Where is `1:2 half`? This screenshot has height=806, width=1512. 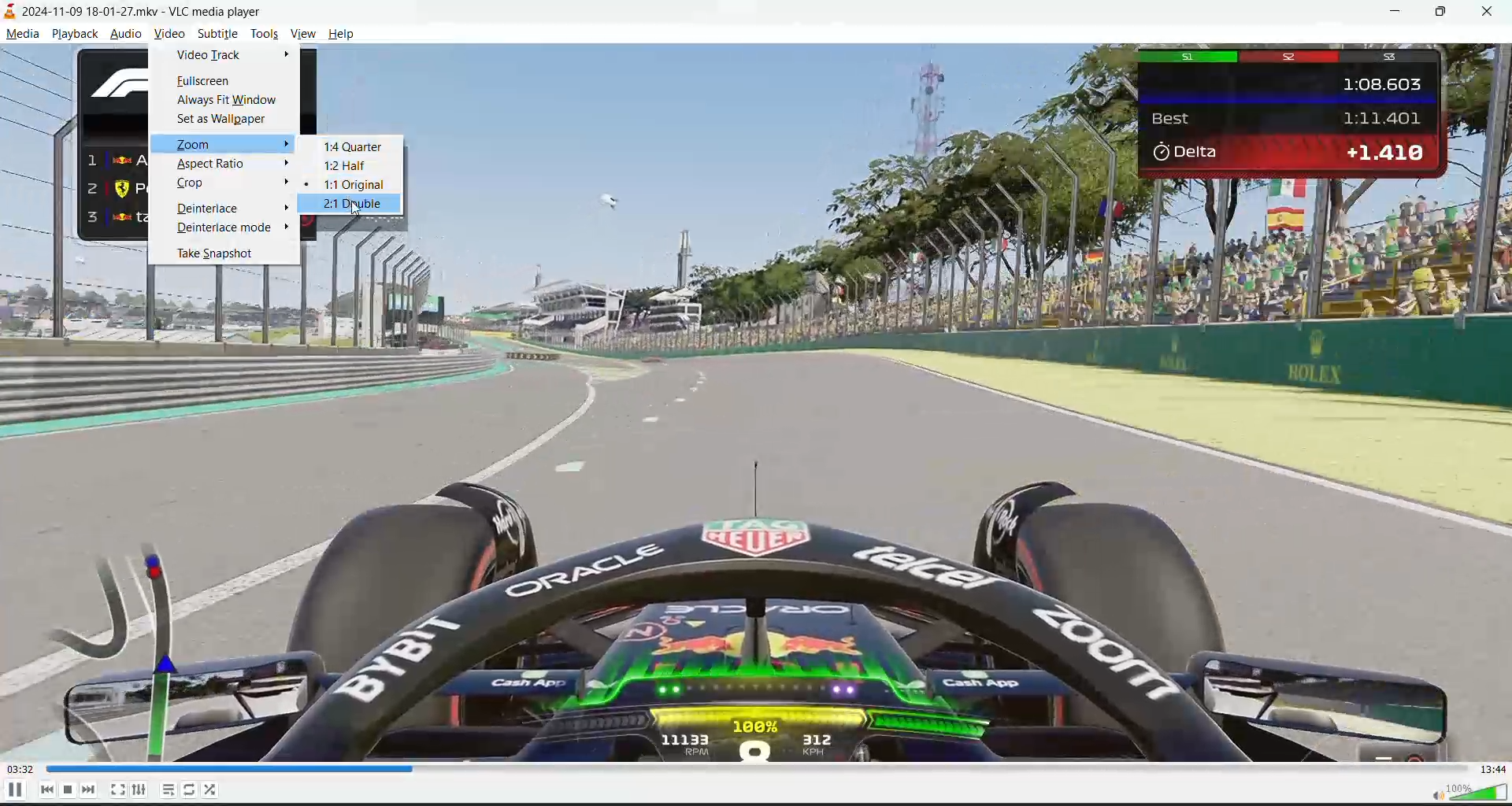 1:2 half is located at coordinates (340, 165).